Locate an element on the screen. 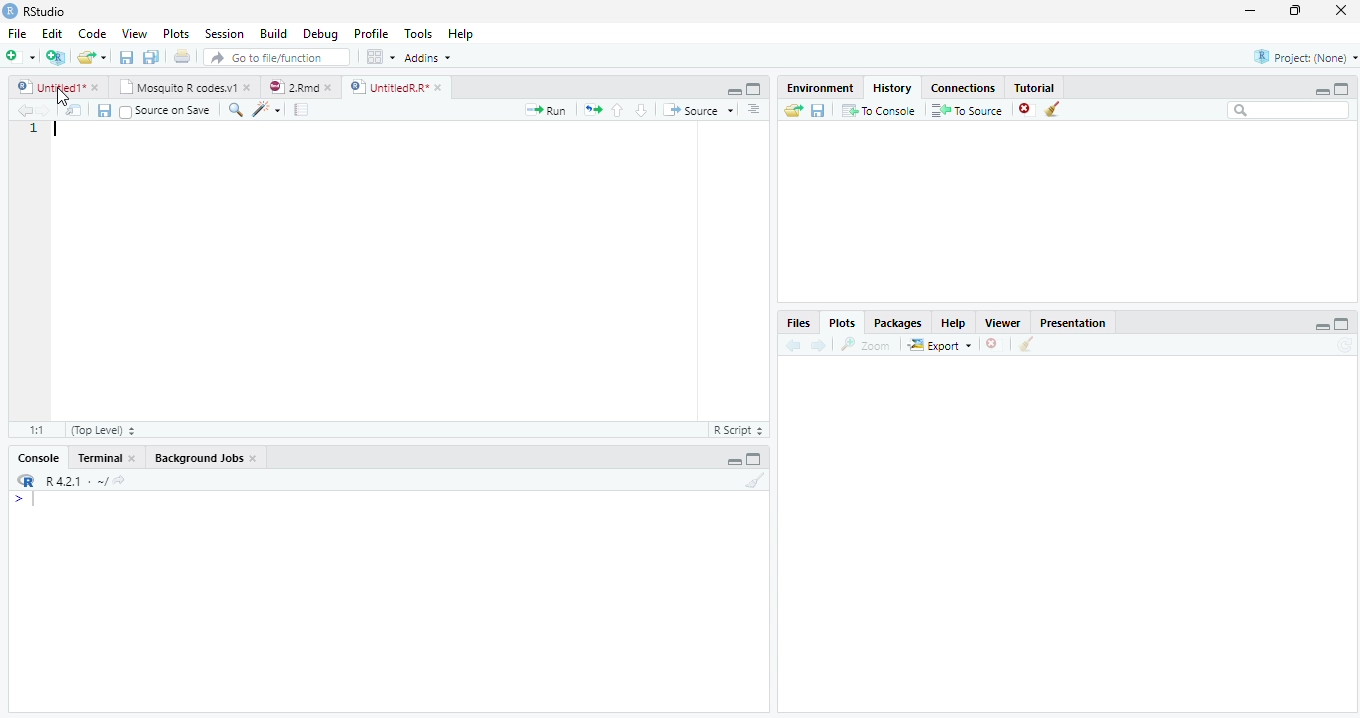 The image size is (1360, 718). Build is located at coordinates (275, 34).